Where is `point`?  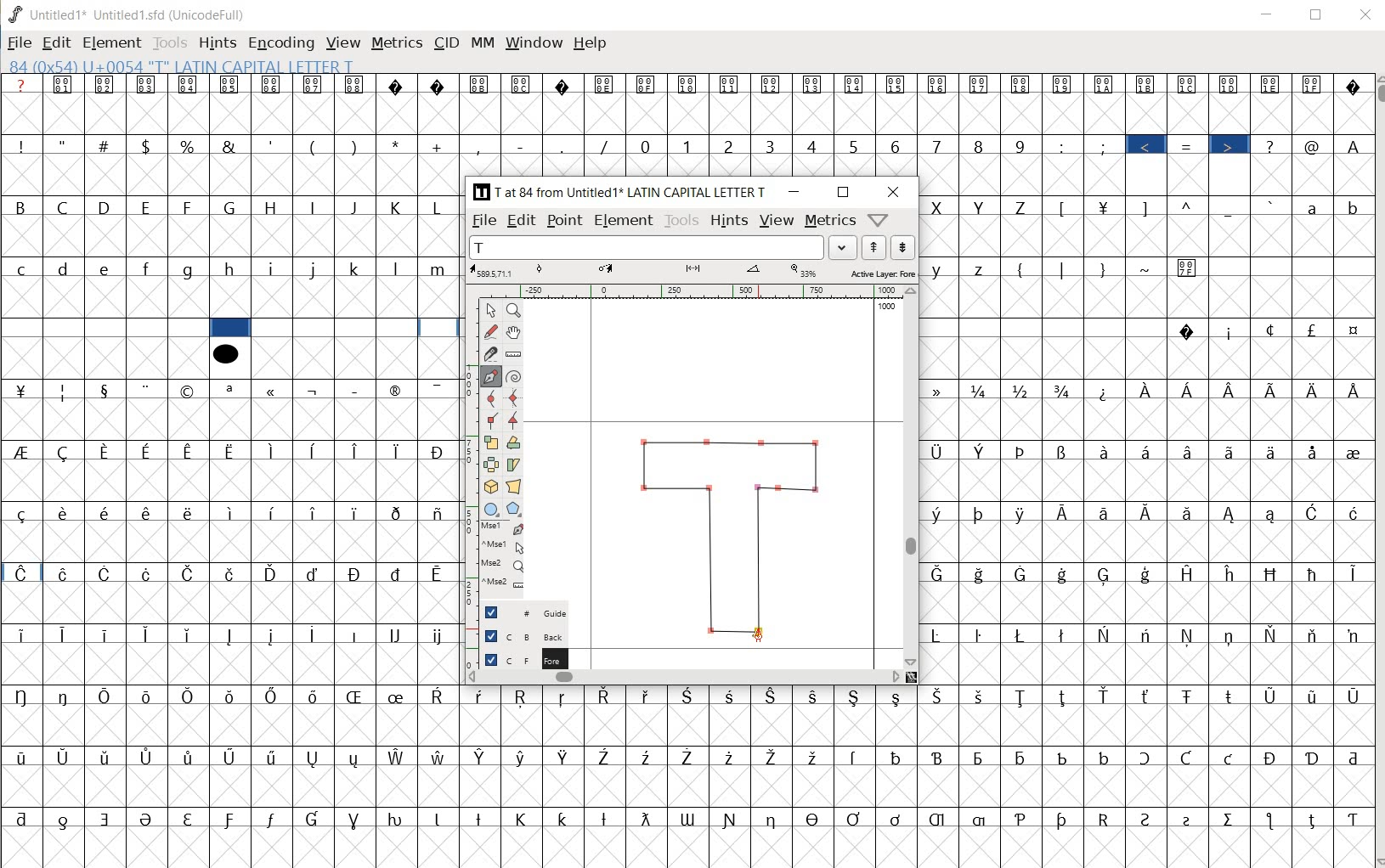
point is located at coordinates (563, 221).